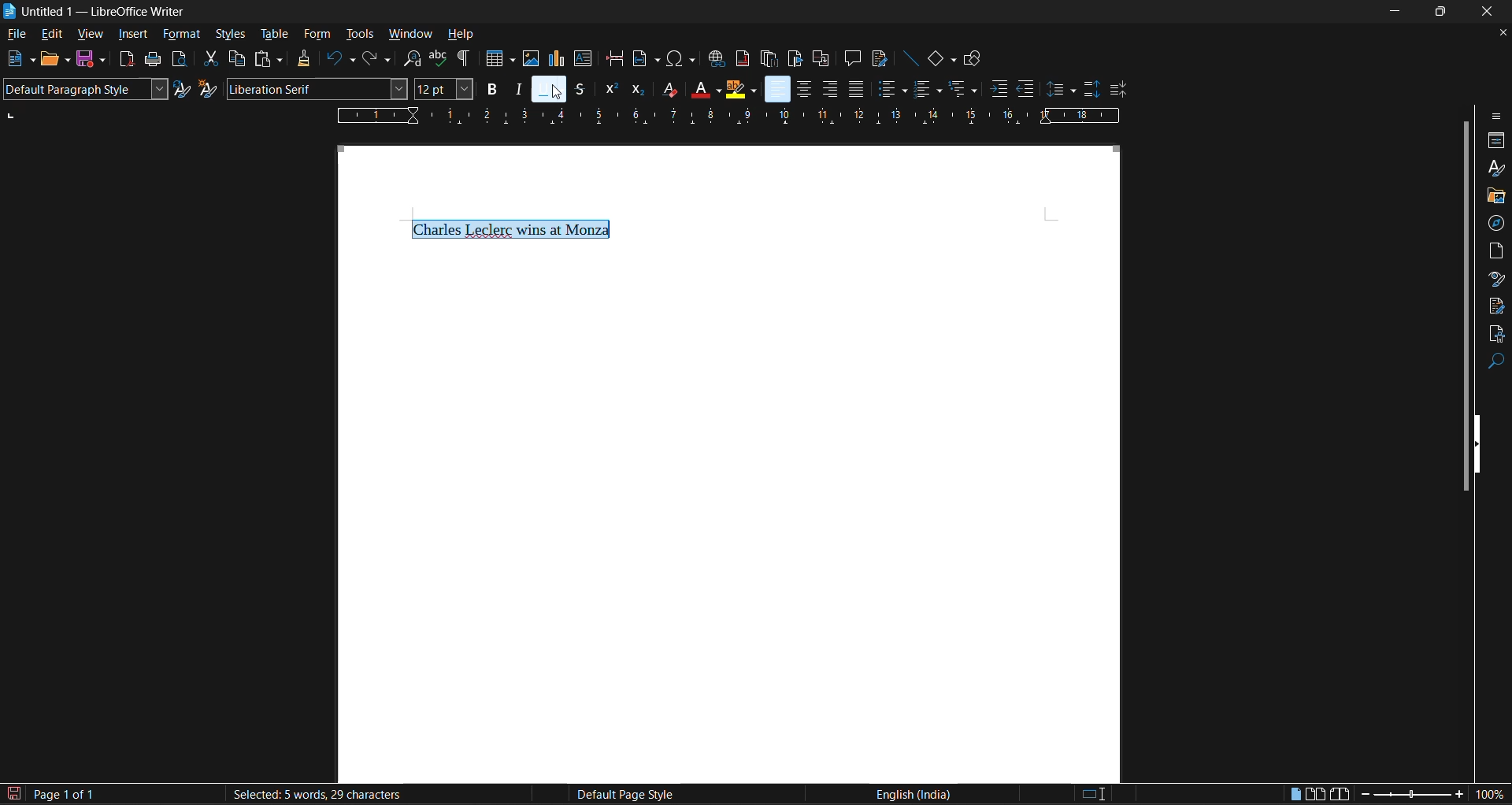 This screenshot has height=805, width=1512. I want to click on styles, so click(230, 32).